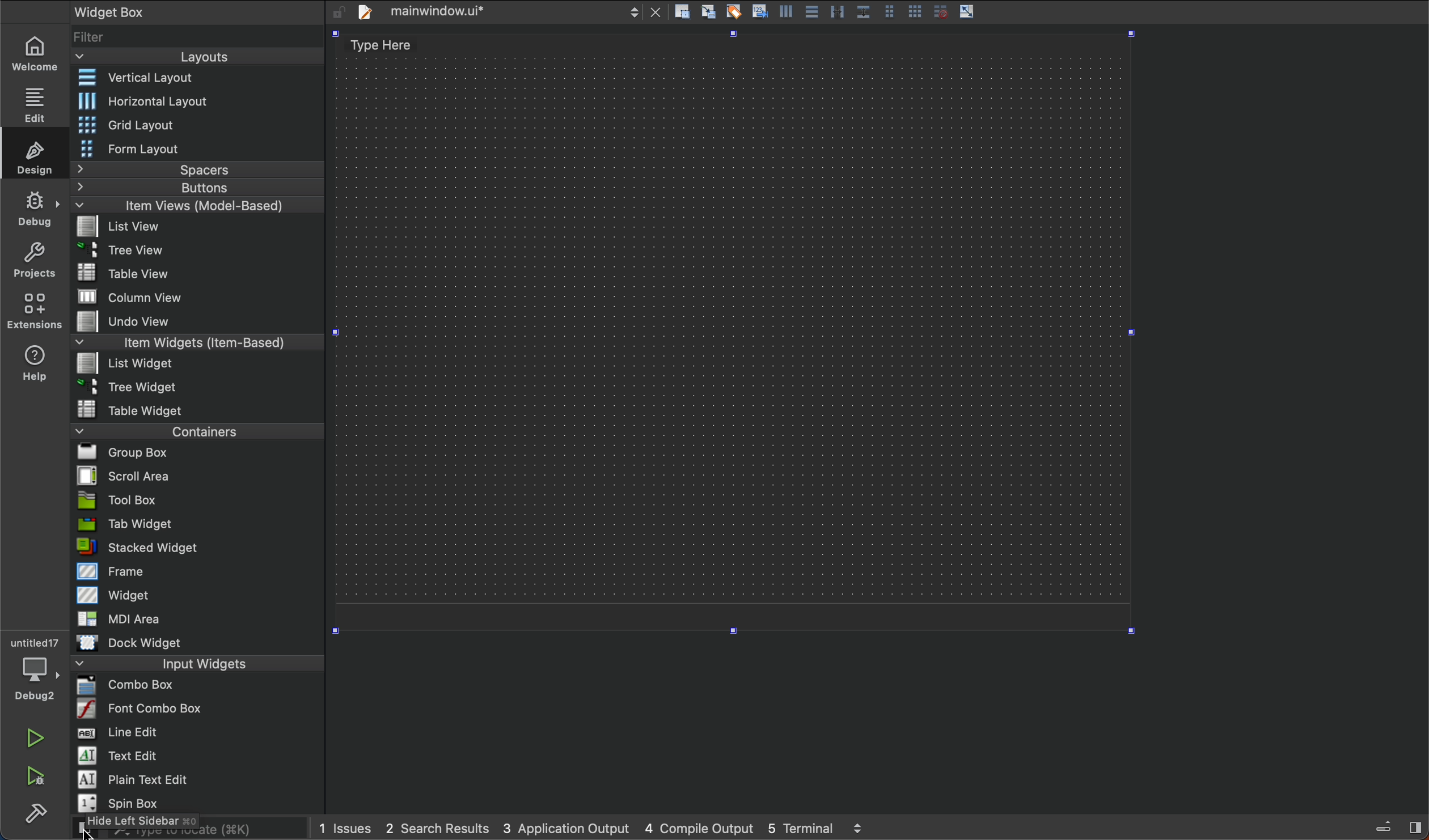  Describe the element at coordinates (120, 618) in the screenshot. I see `MDI Arena` at that location.